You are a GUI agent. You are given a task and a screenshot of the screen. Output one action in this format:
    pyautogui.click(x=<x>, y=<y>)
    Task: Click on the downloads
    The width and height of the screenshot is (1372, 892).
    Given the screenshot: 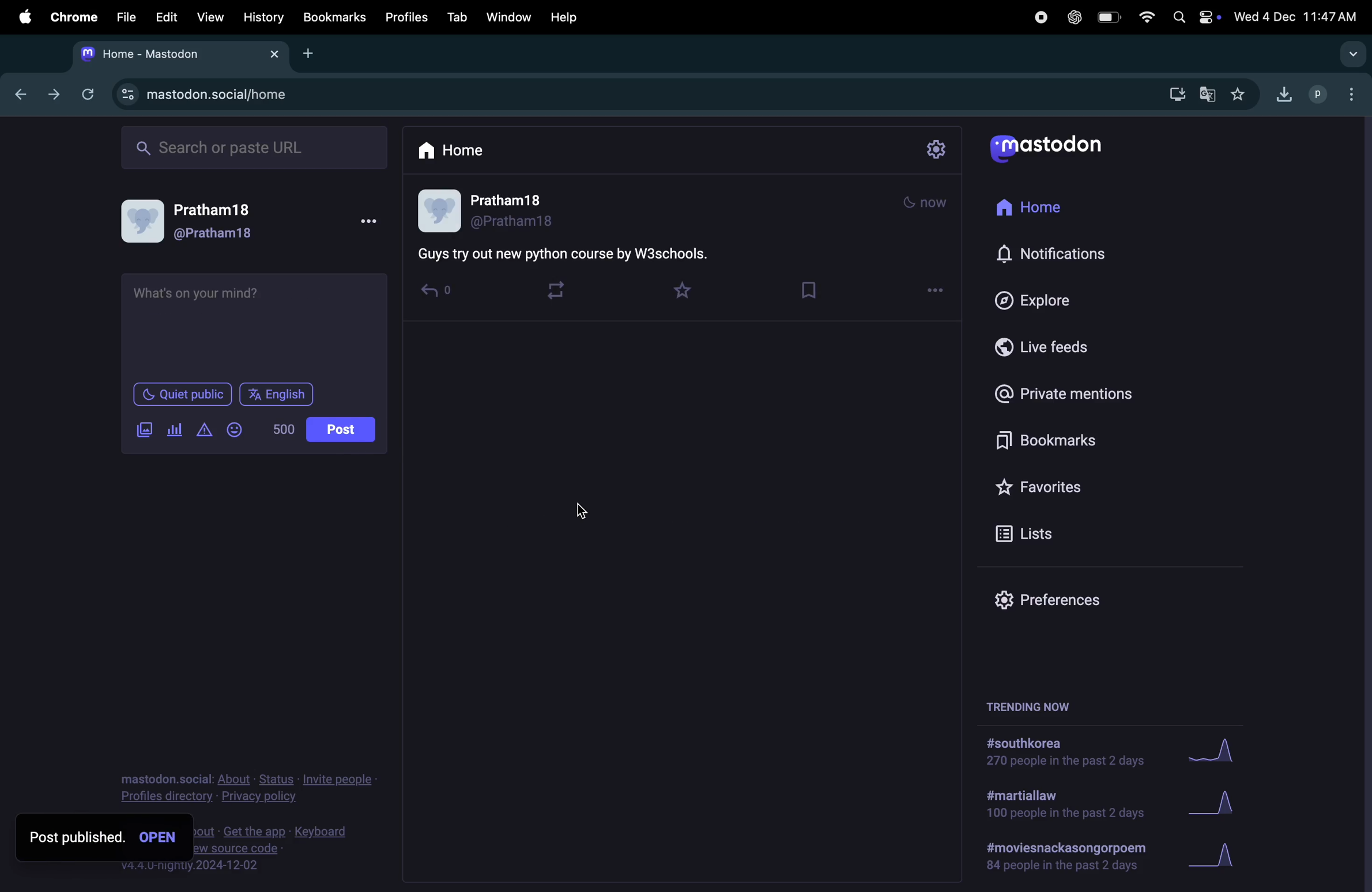 What is the action you would take?
    pyautogui.click(x=1177, y=93)
    